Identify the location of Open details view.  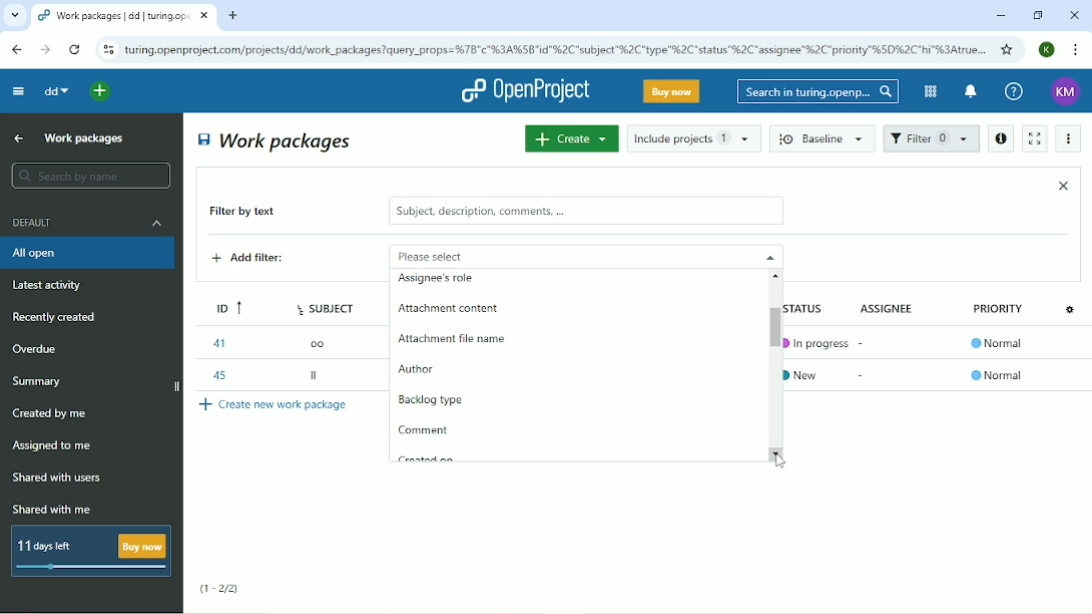
(1000, 139).